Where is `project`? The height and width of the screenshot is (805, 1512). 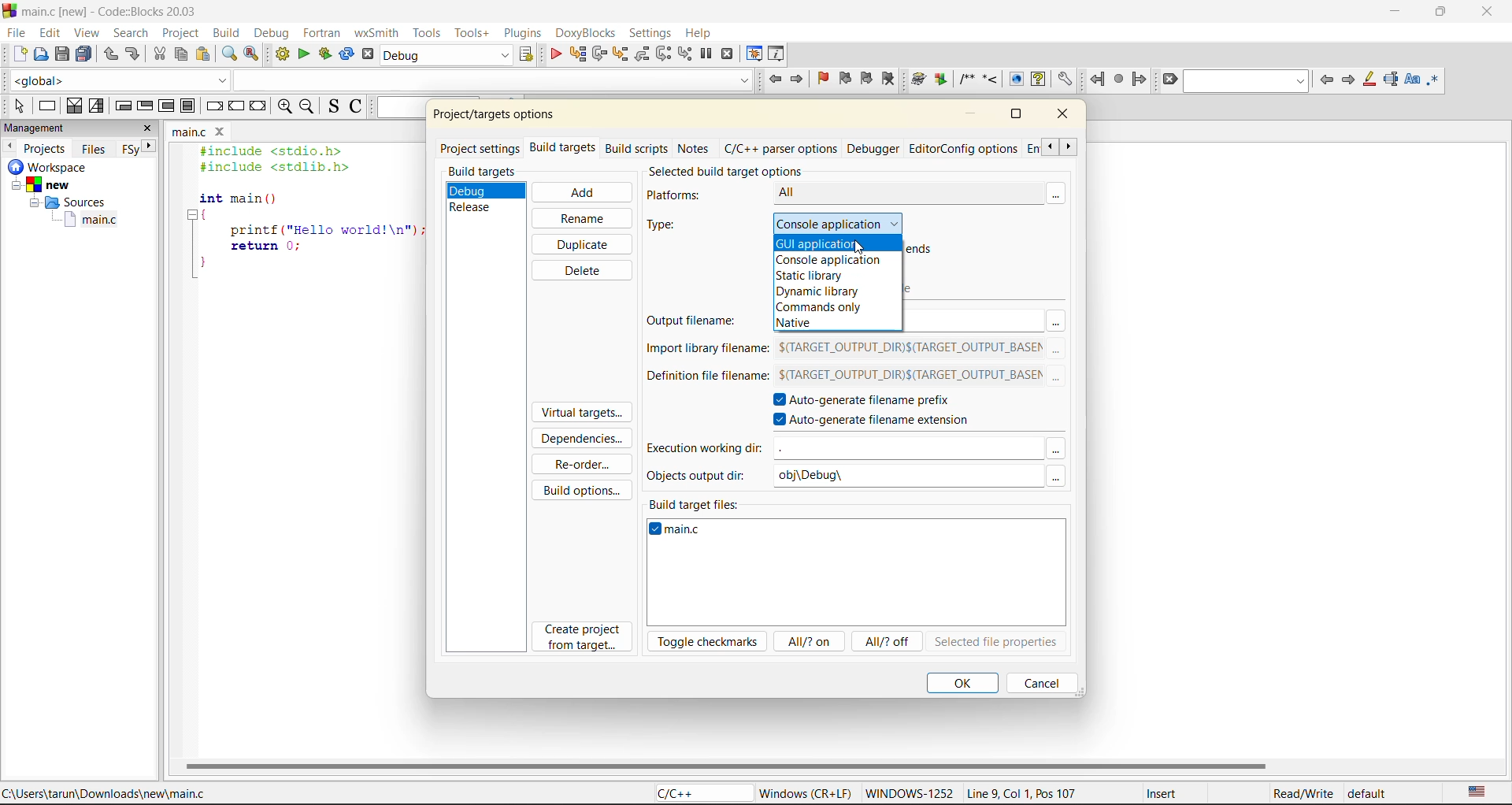
project is located at coordinates (182, 31).